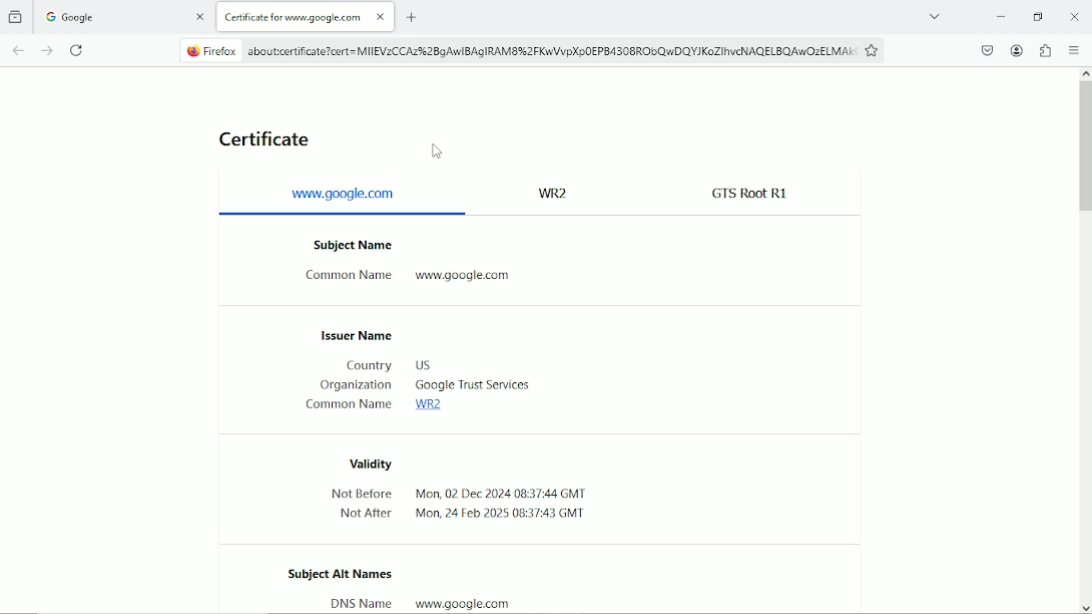 This screenshot has width=1092, height=614. Describe the element at coordinates (341, 576) in the screenshot. I see `Subject Alt Names` at that location.